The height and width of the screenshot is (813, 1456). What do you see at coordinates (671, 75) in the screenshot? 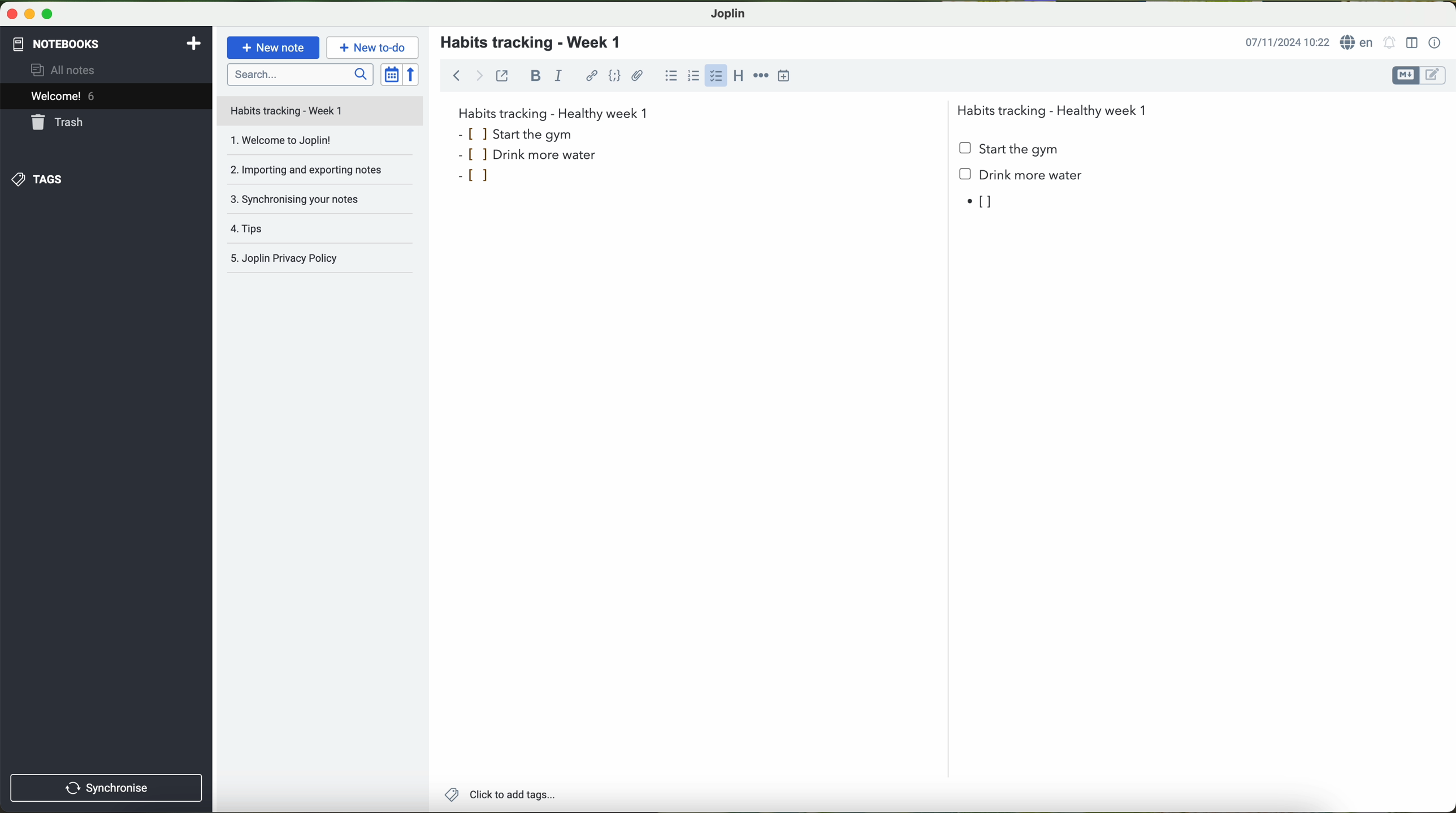
I see `bulleted list` at bounding box center [671, 75].